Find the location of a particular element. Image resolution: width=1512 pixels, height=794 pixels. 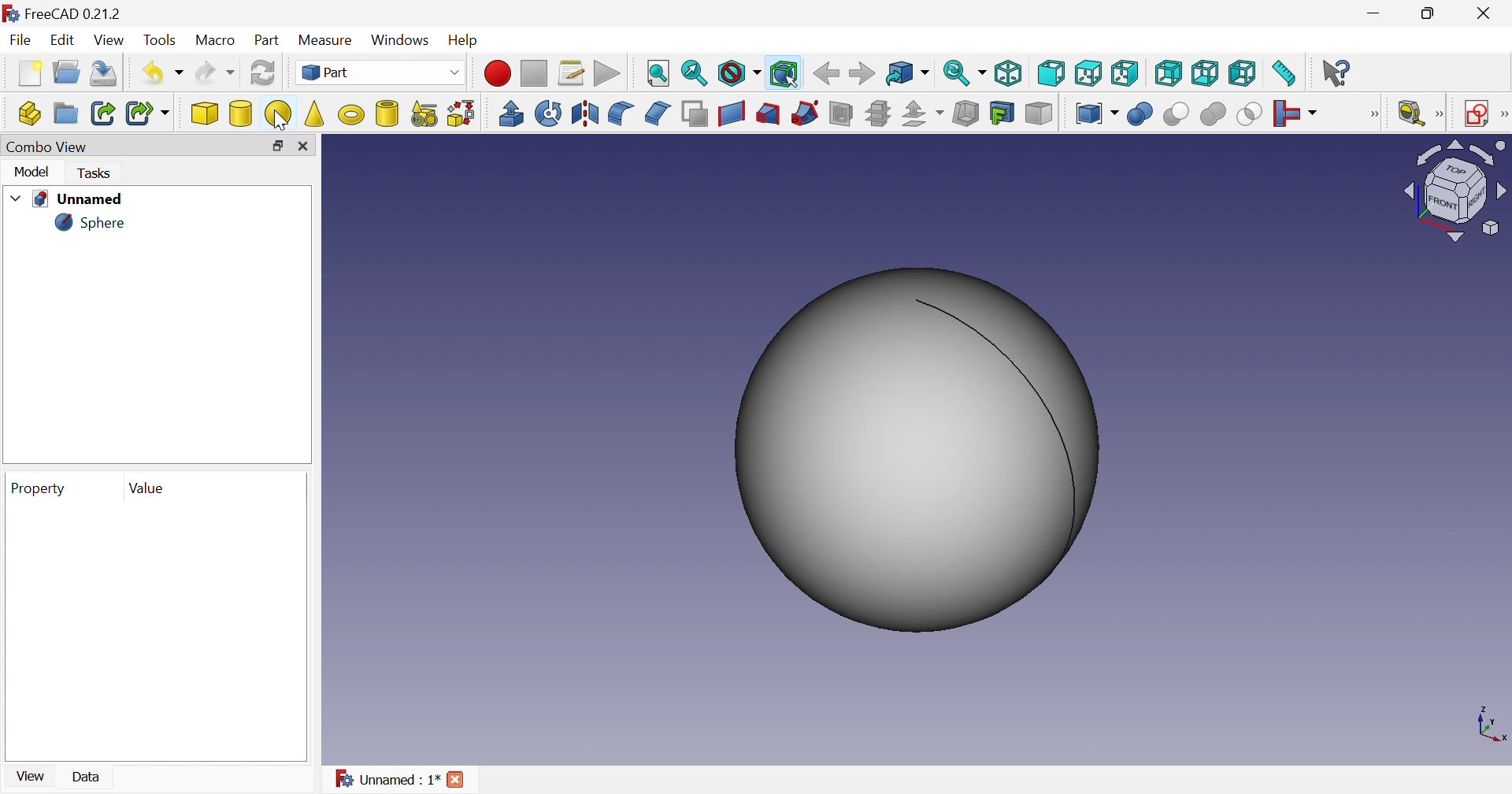

Sphere is located at coordinates (94, 223).